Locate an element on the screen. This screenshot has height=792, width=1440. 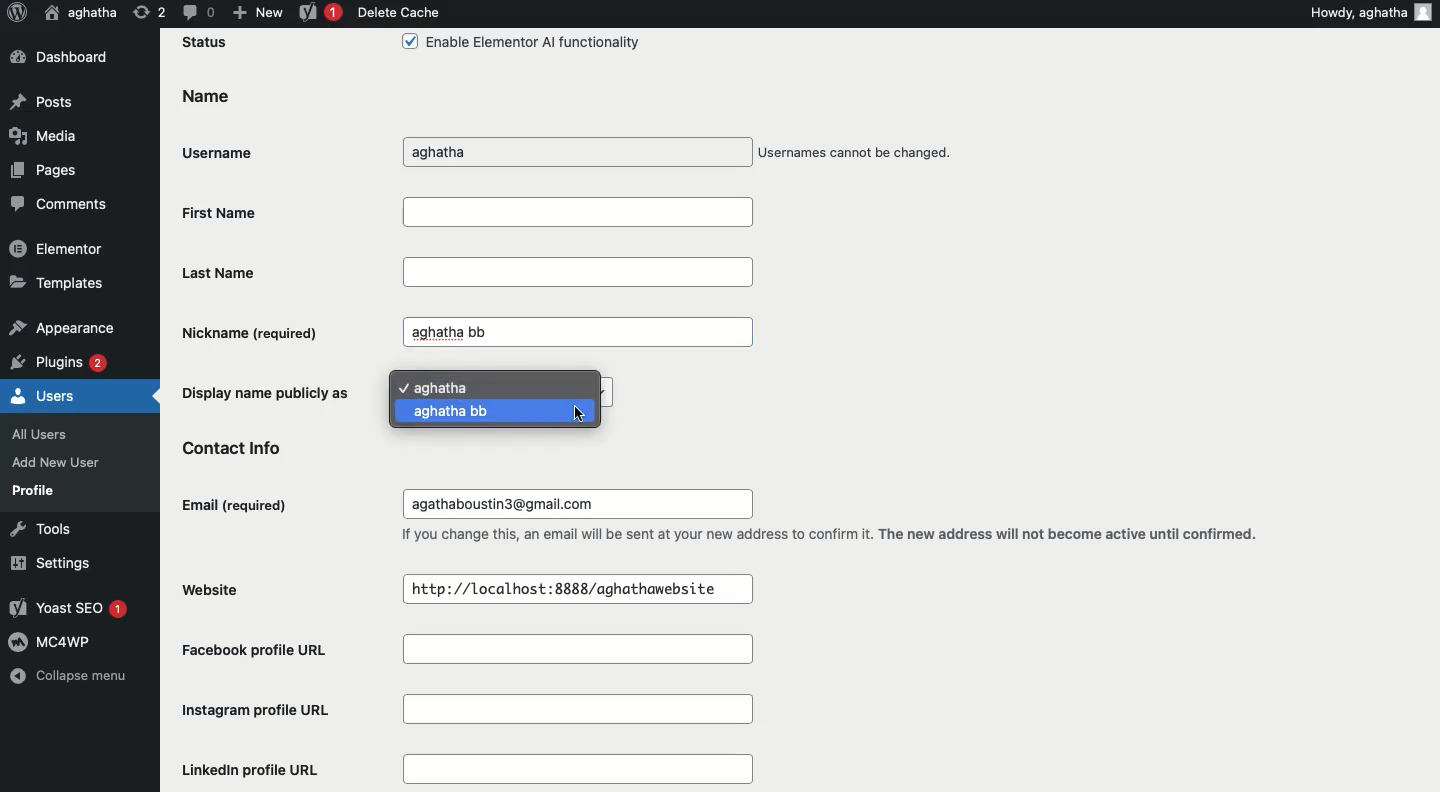
Logo is located at coordinates (16, 13).